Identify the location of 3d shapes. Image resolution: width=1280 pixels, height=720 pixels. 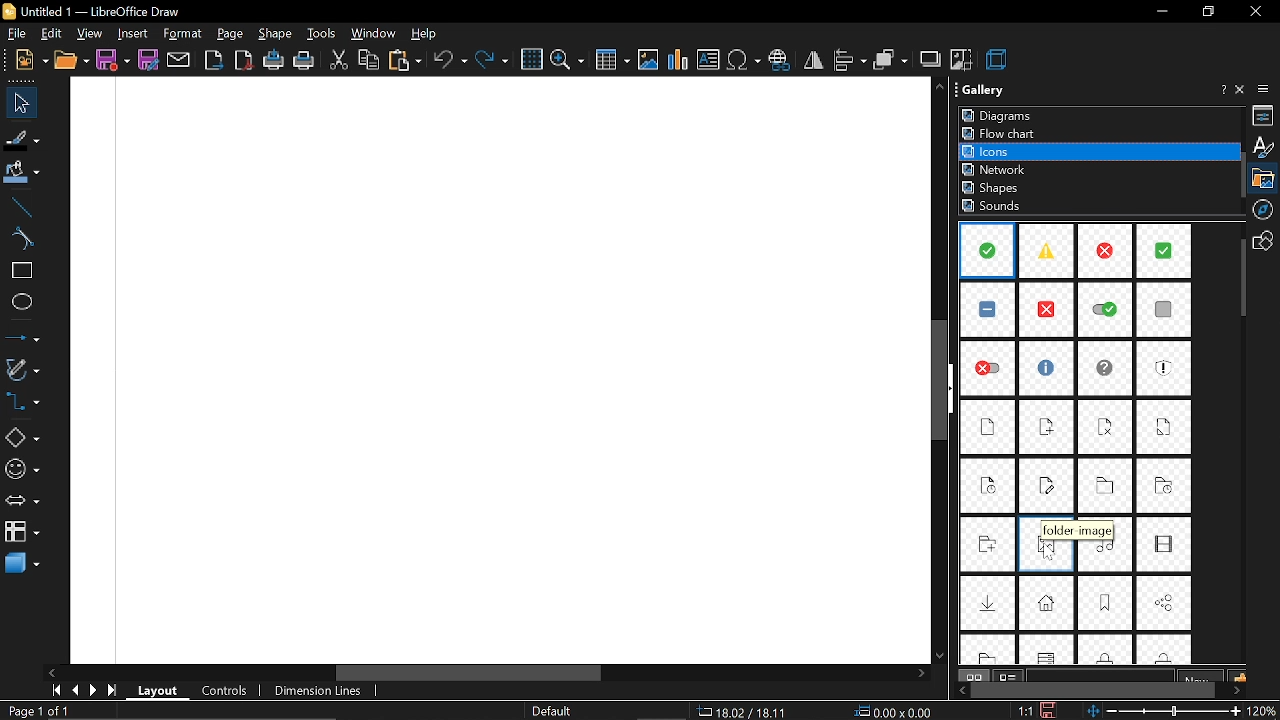
(19, 564).